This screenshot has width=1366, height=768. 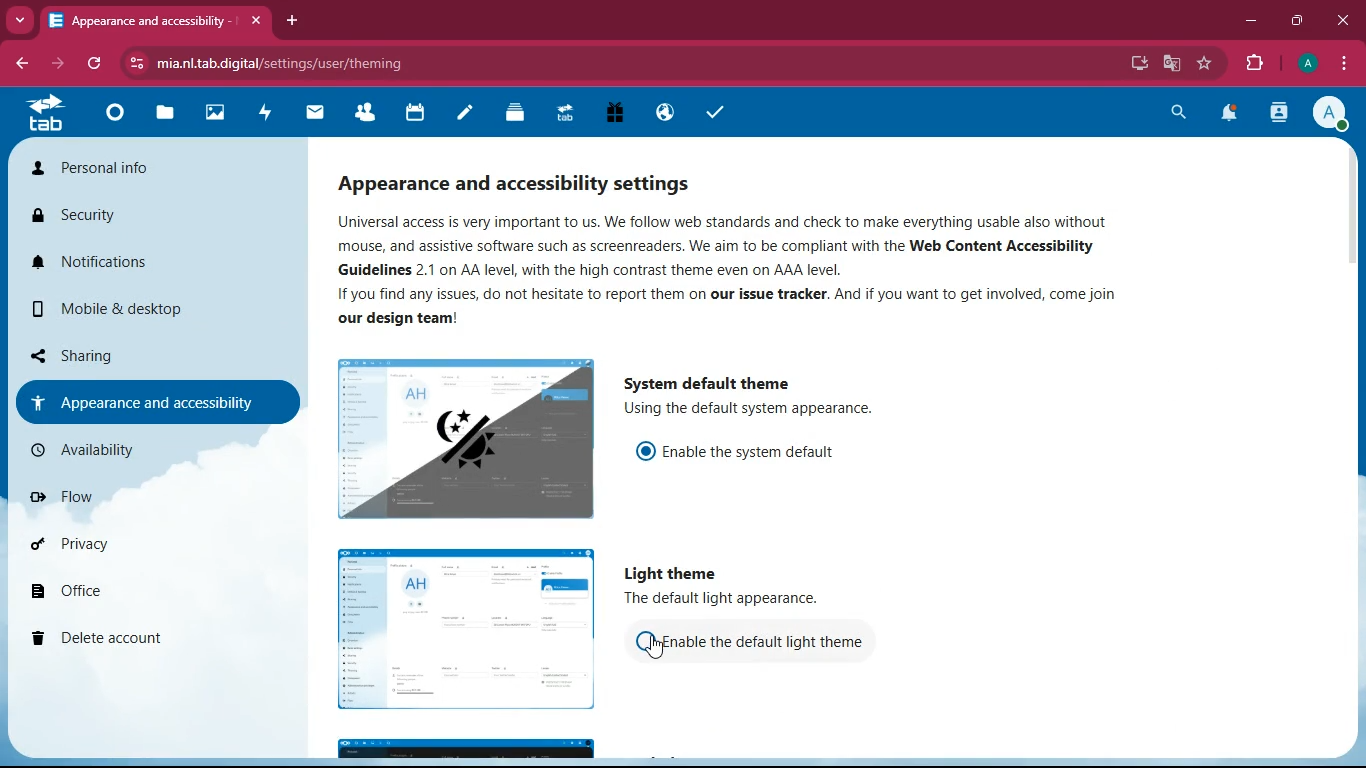 What do you see at coordinates (1328, 114) in the screenshot?
I see `profile` at bounding box center [1328, 114].